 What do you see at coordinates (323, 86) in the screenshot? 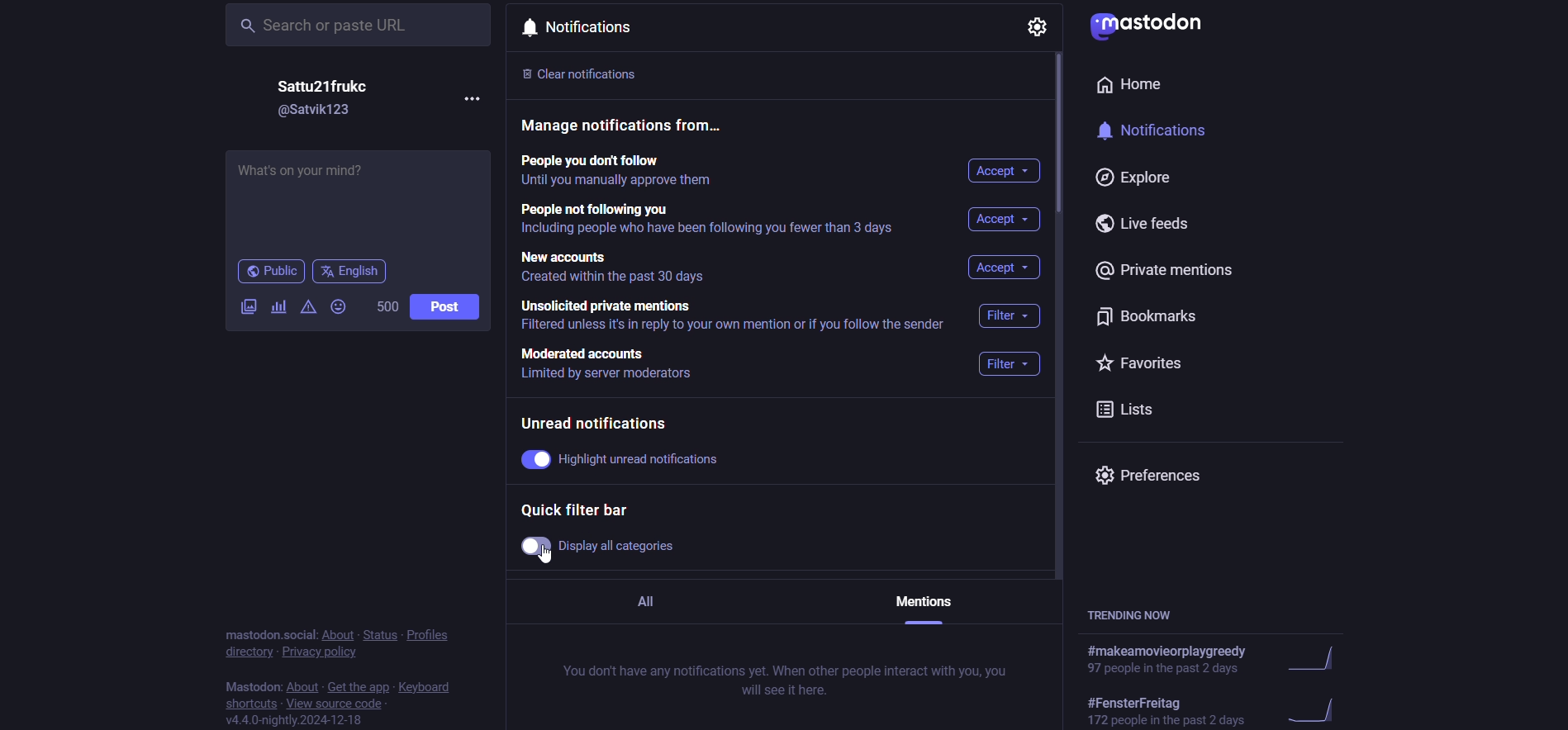
I see `Satty21frukc` at bounding box center [323, 86].